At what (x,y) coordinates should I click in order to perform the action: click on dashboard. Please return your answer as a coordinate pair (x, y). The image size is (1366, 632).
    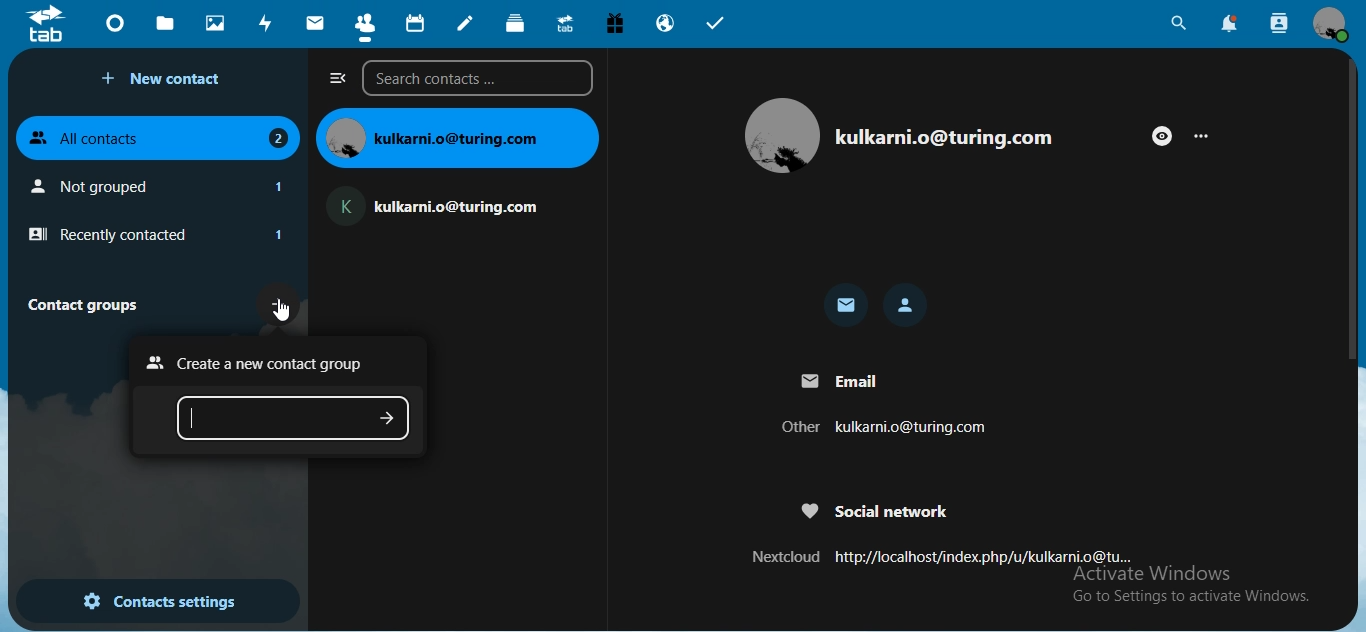
    Looking at the image, I should click on (118, 28).